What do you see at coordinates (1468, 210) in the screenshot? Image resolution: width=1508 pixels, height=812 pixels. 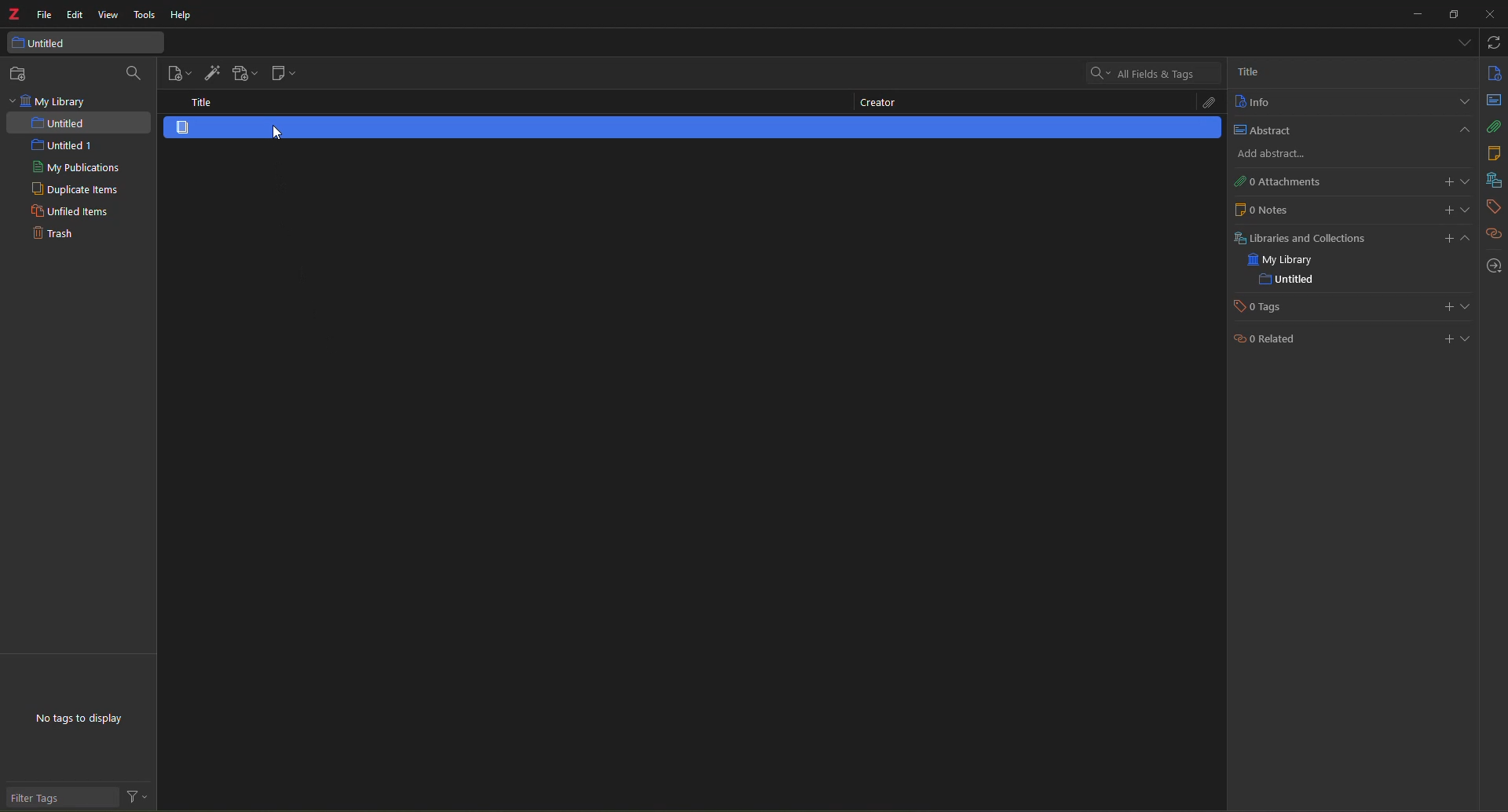 I see `expand` at bounding box center [1468, 210].